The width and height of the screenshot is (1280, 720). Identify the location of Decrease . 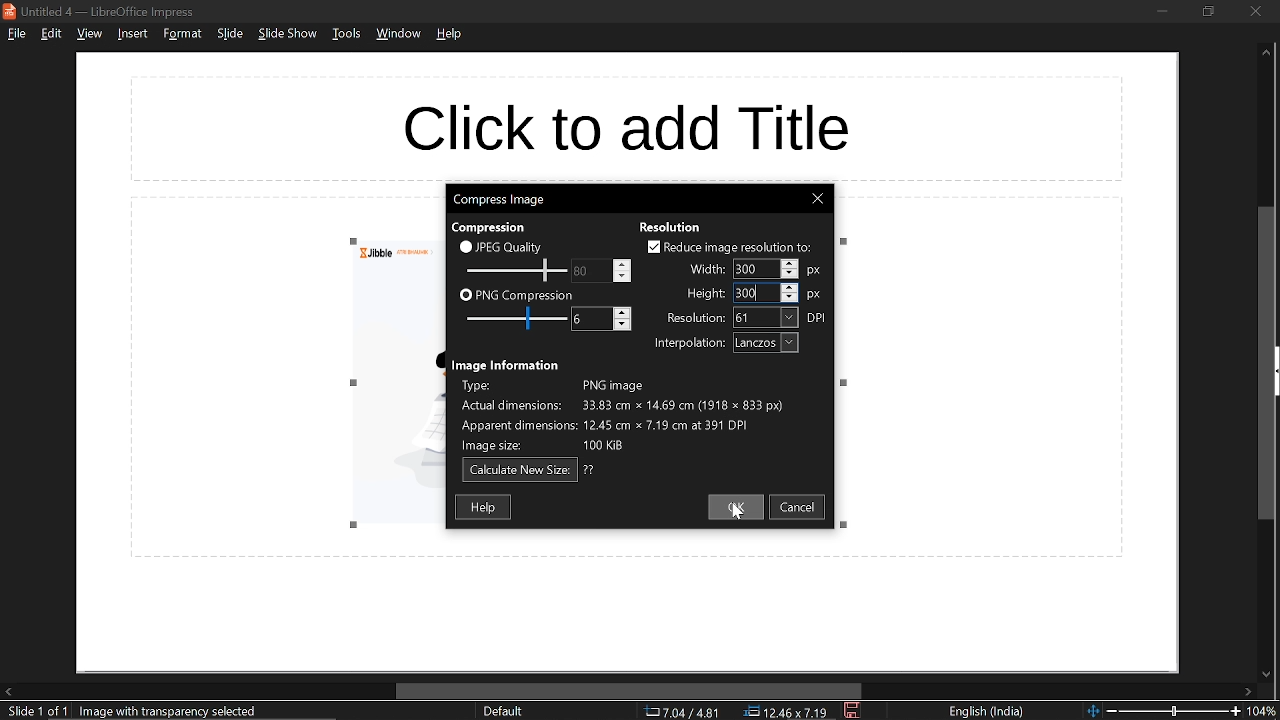
(623, 326).